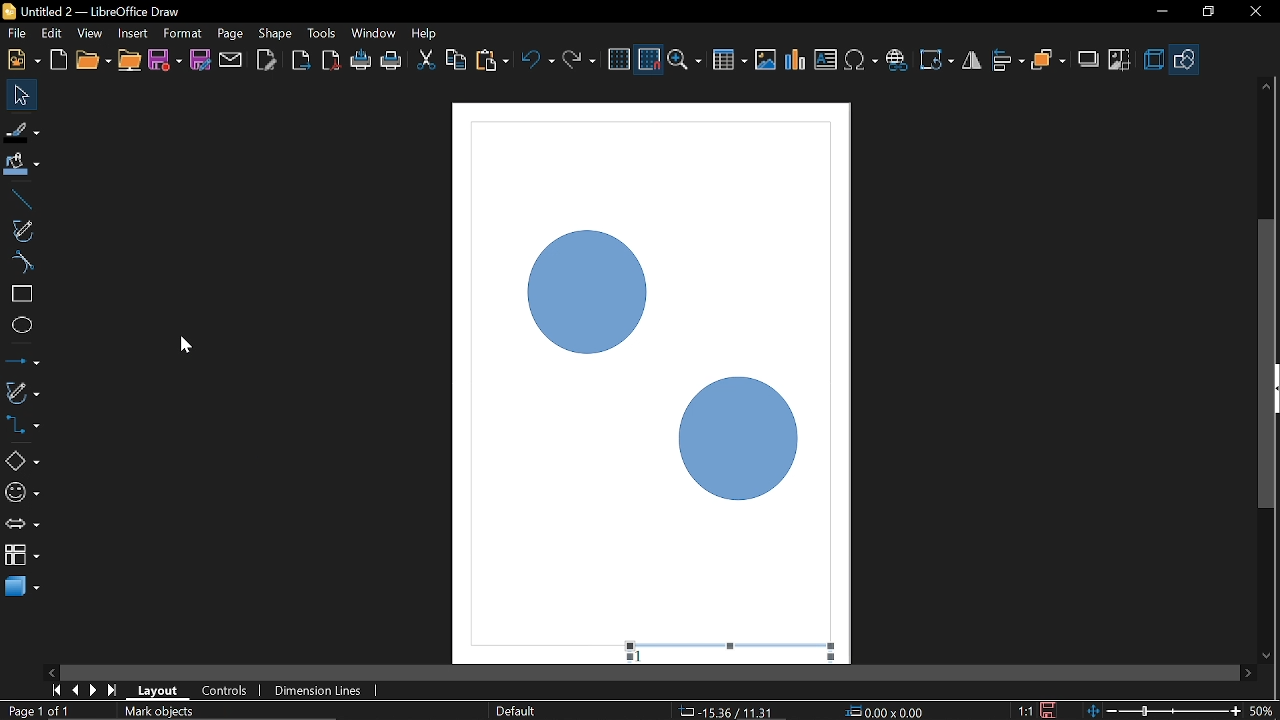 The height and width of the screenshot is (720, 1280). What do you see at coordinates (332, 62) in the screenshot?
I see `Export directly as pdf` at bounding box center [332, 62].